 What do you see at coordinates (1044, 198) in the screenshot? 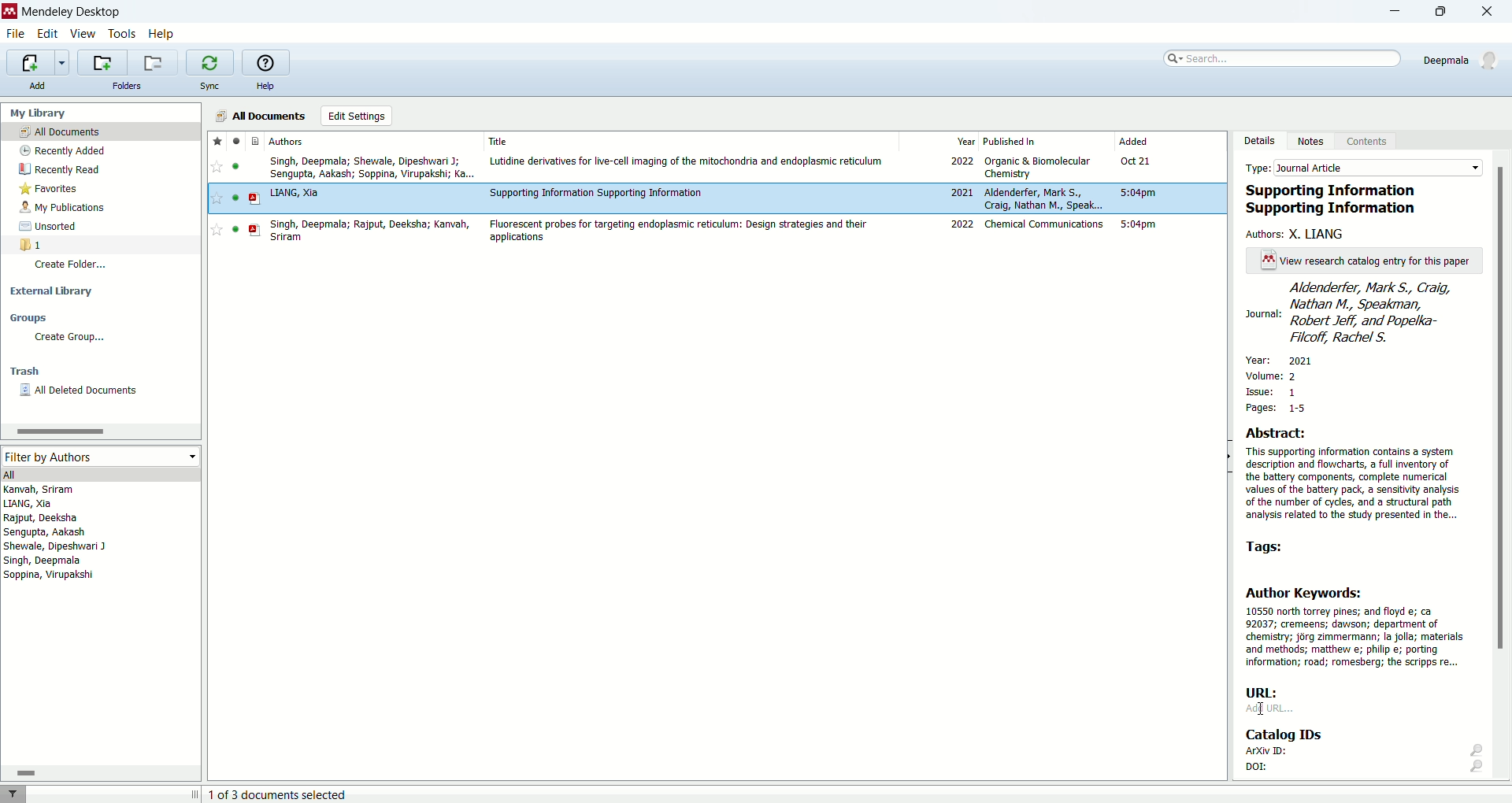
I see `Aldenderfer, Mark S.,
Craig, Nathan M., Speak...` at bounding box center [1044, 198].